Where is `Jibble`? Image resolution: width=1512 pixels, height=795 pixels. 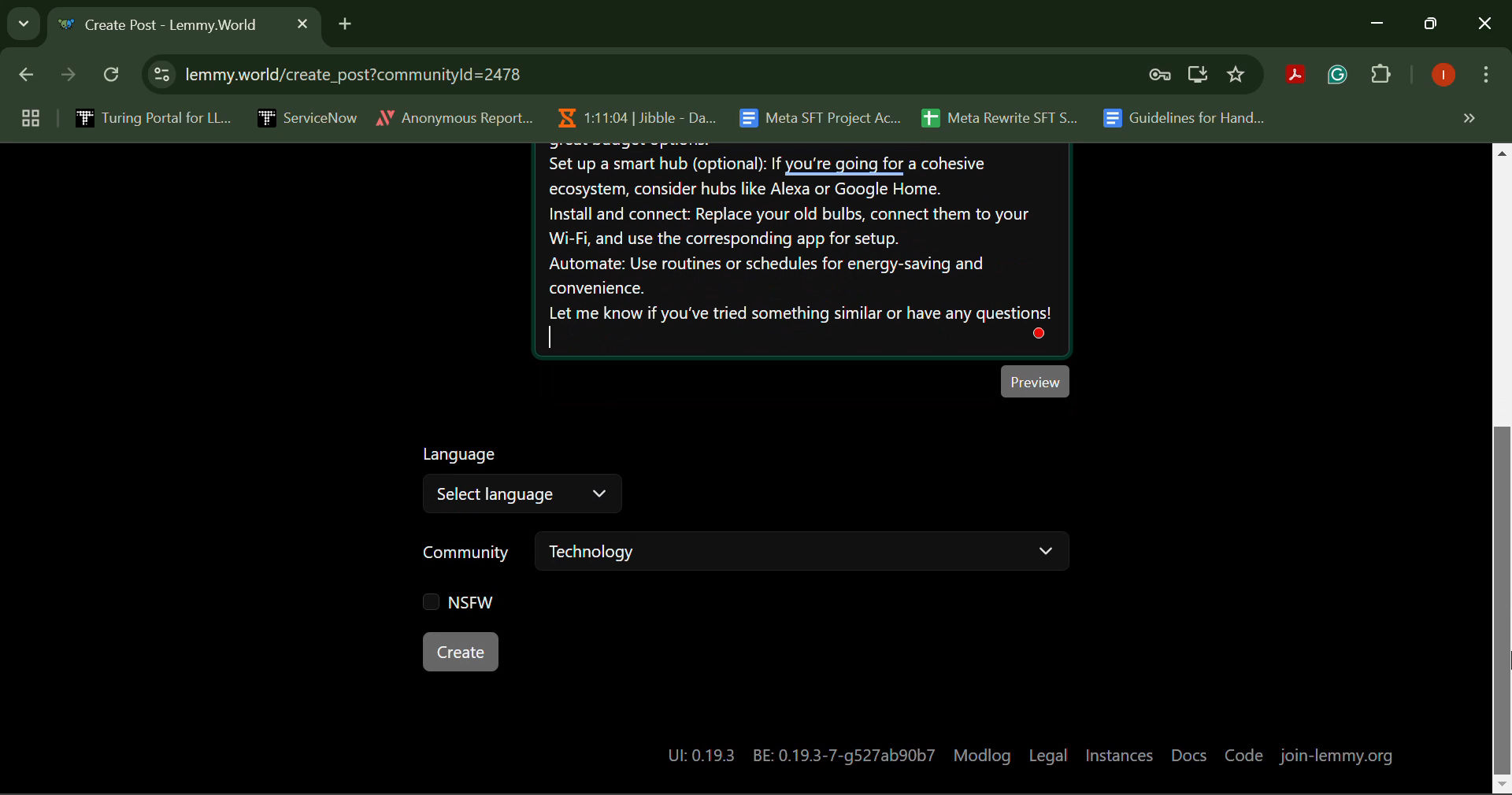
Jibble is located at coordinates (633, 114).